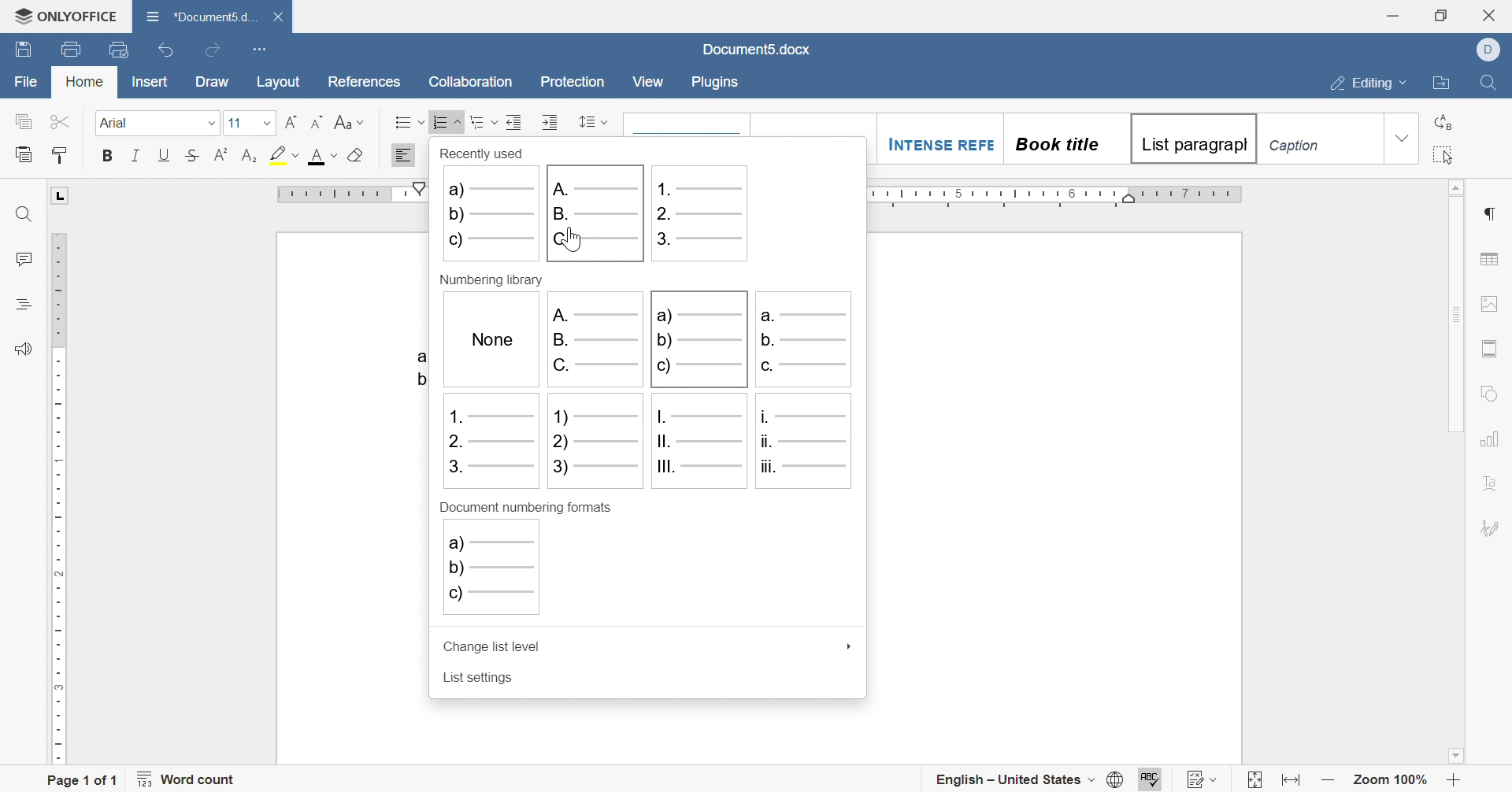  What do you see at coordinates (504, 574) in the screenshot?
I see `number alignment` at bounding box center [504, 574].